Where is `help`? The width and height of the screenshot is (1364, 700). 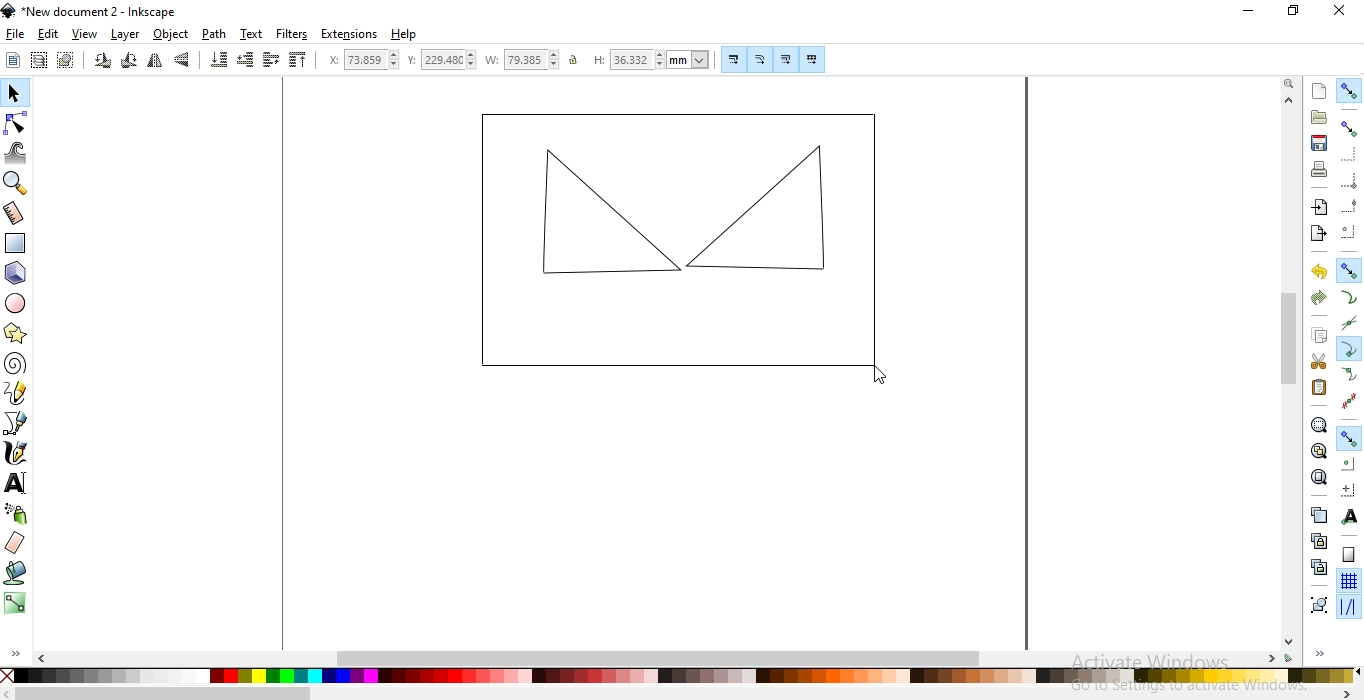 help is located at coordinates (407, 35).